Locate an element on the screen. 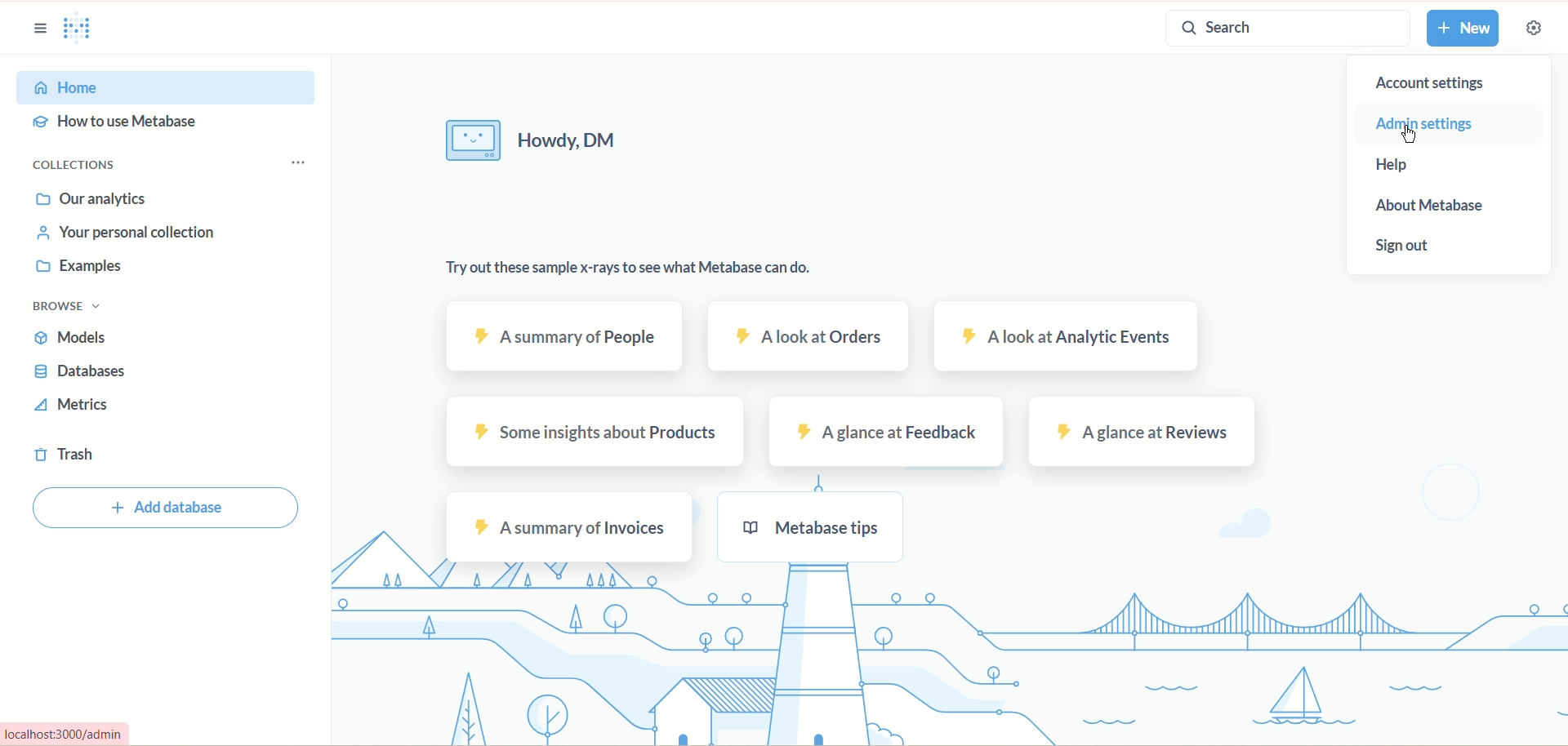  metrics is located at coordinates (69, 406).